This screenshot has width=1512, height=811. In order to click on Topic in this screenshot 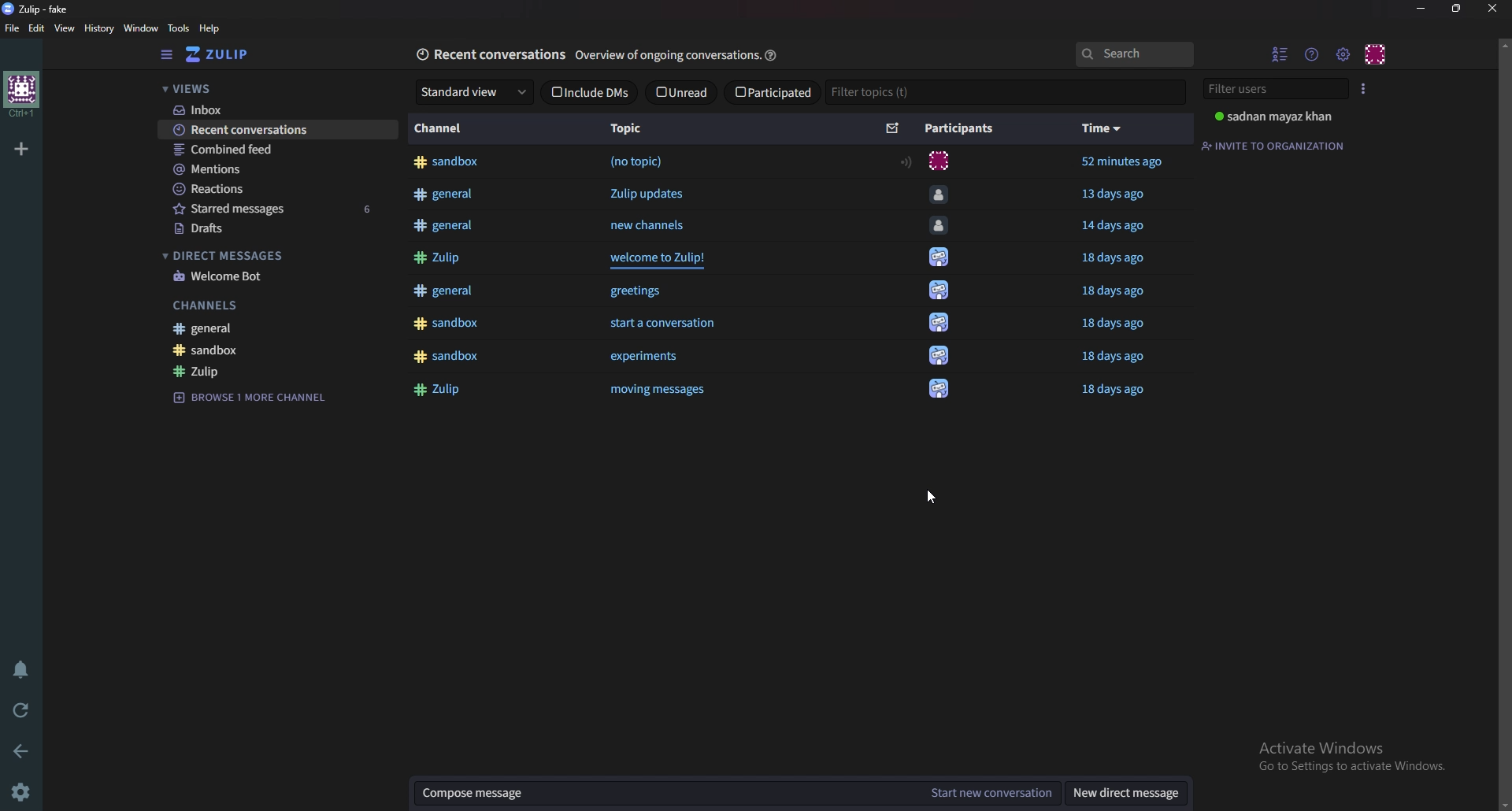, I will do `click(629, 127)`.